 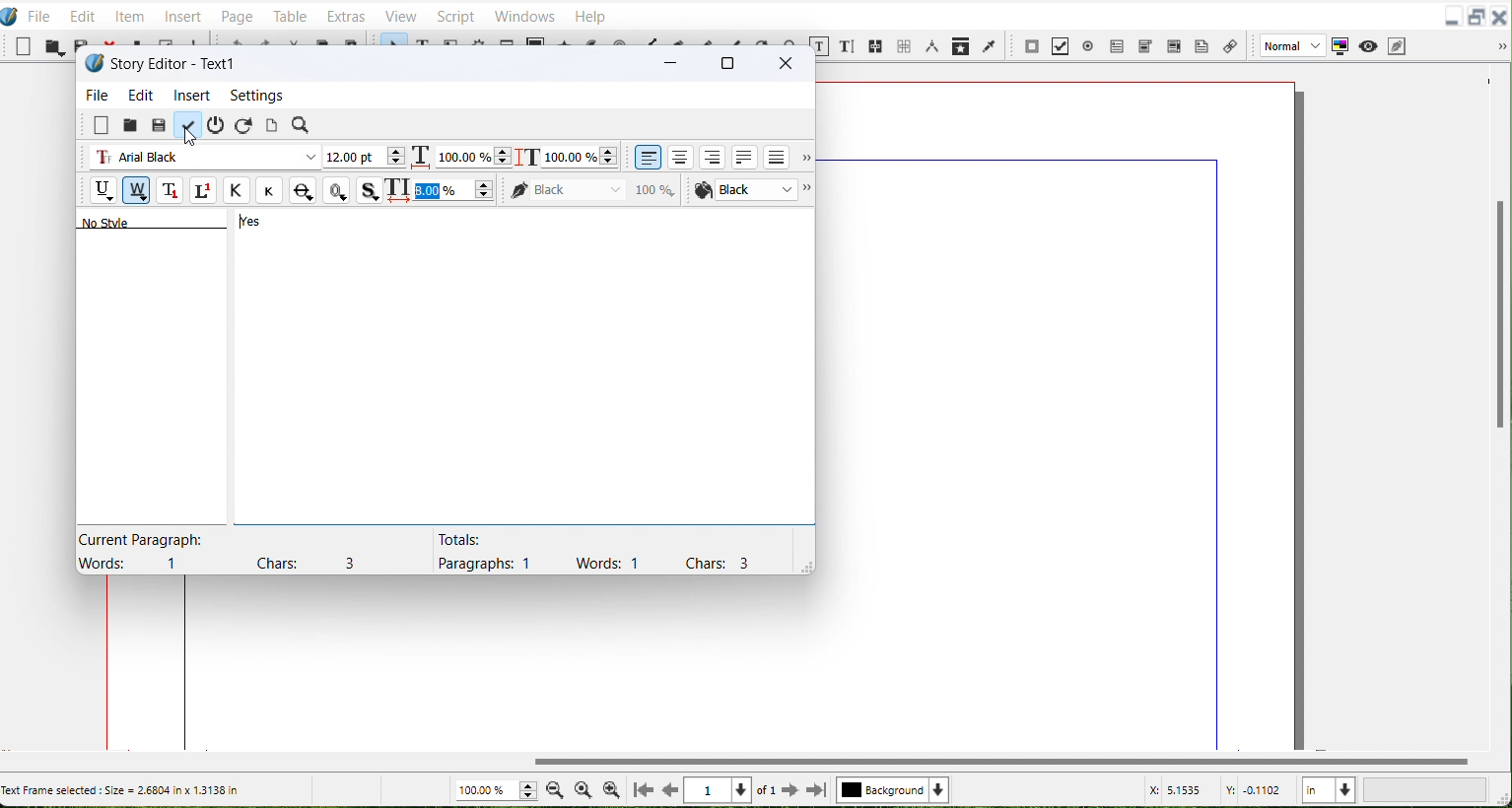 I want to click on Measurements, so click(x=933, y=46).